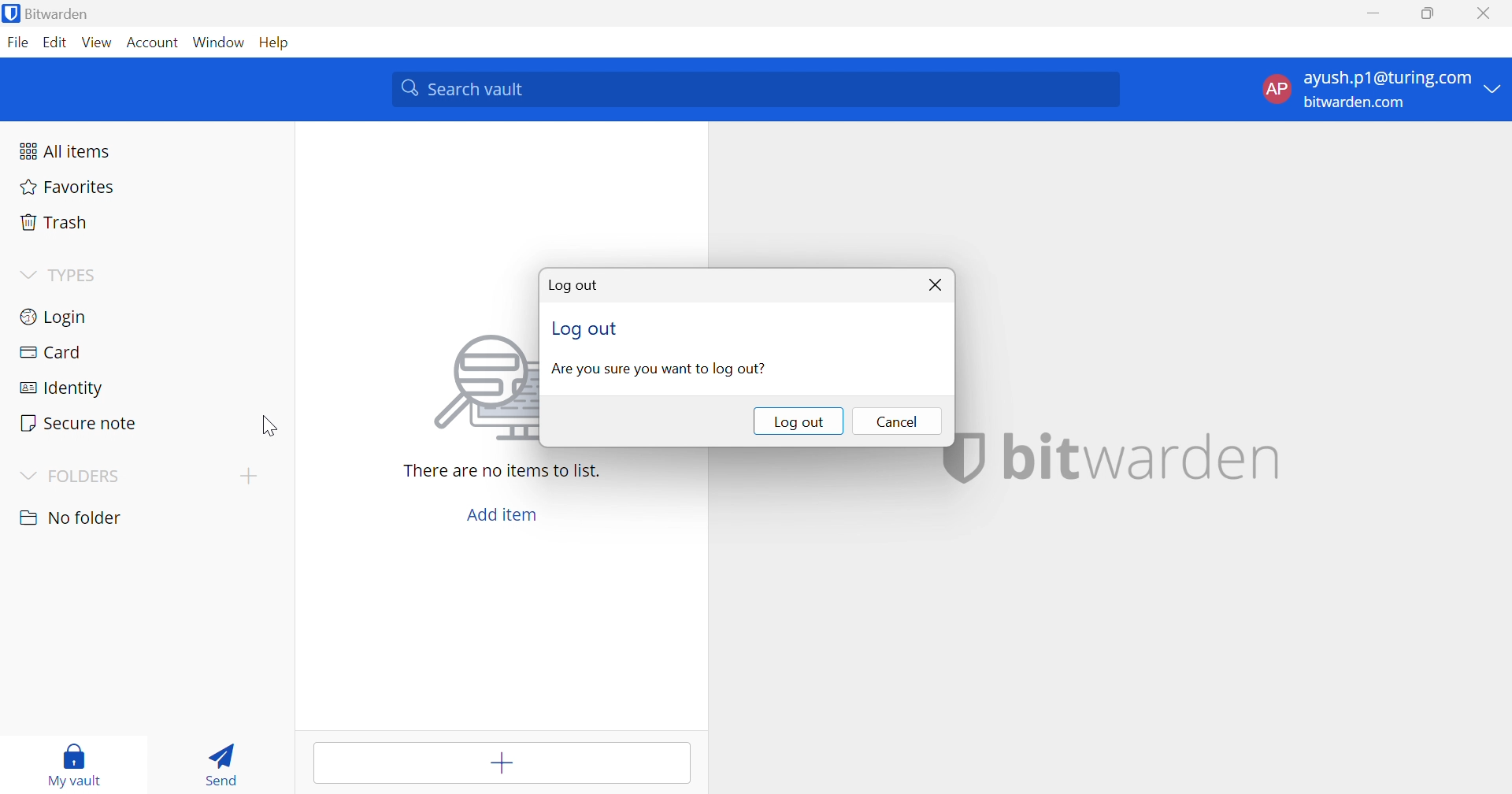 The width and height of the screenshot is (1512, 794). Describe the element at coordinates (938, 285) in the screenshot. I see `Close` at that location.